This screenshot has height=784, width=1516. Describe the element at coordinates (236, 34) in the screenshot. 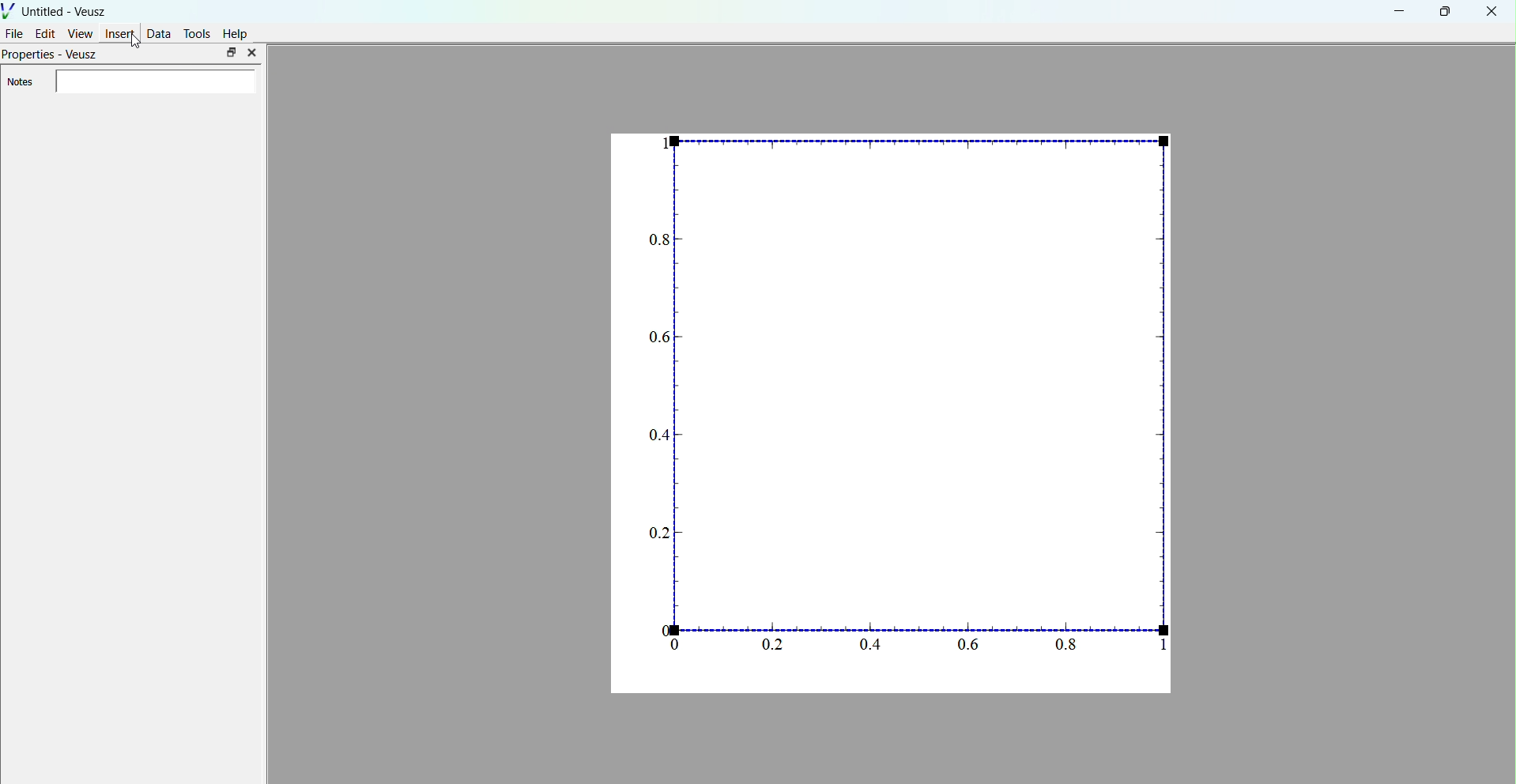

I see `Help` at that location.